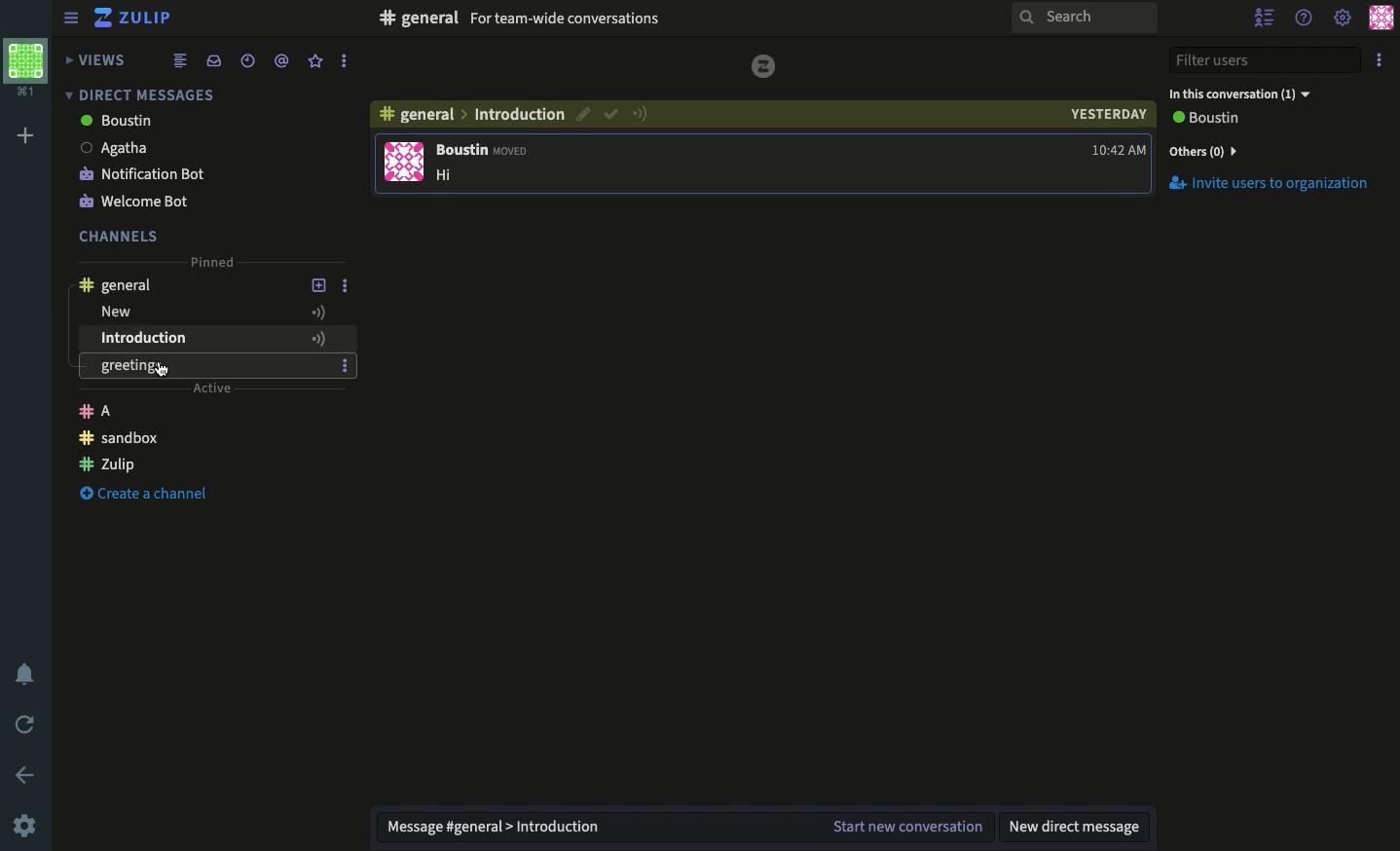 The height and width of the screenshot is (851, 1400). I want to click on Inbox, so click(213, 60).